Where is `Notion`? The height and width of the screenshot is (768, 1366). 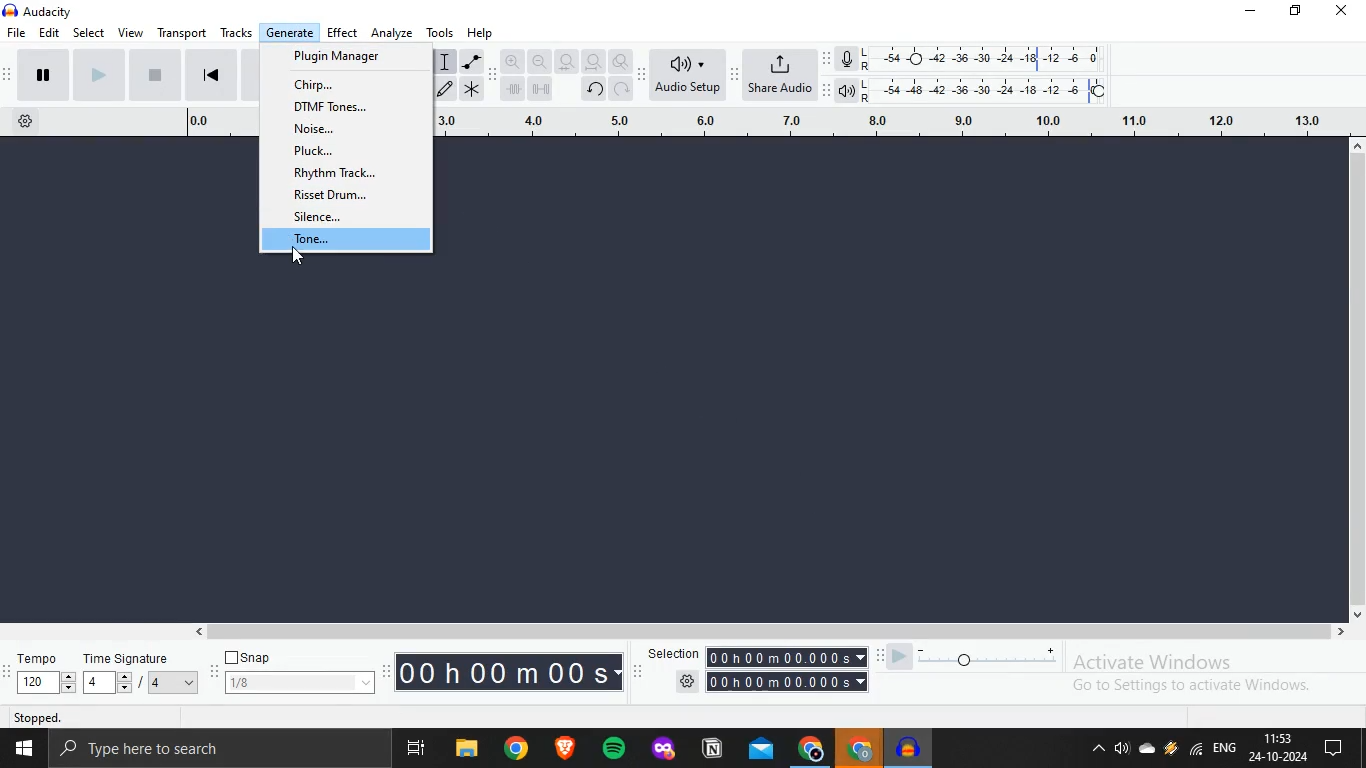 Notion is located at coordinates (712, 753).